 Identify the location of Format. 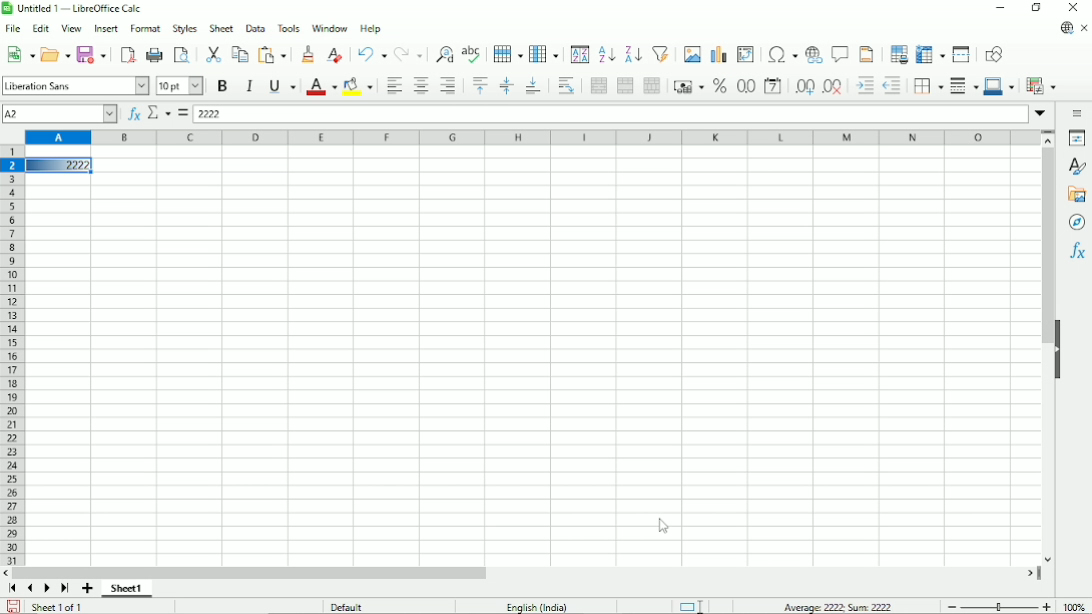
(145, 29).